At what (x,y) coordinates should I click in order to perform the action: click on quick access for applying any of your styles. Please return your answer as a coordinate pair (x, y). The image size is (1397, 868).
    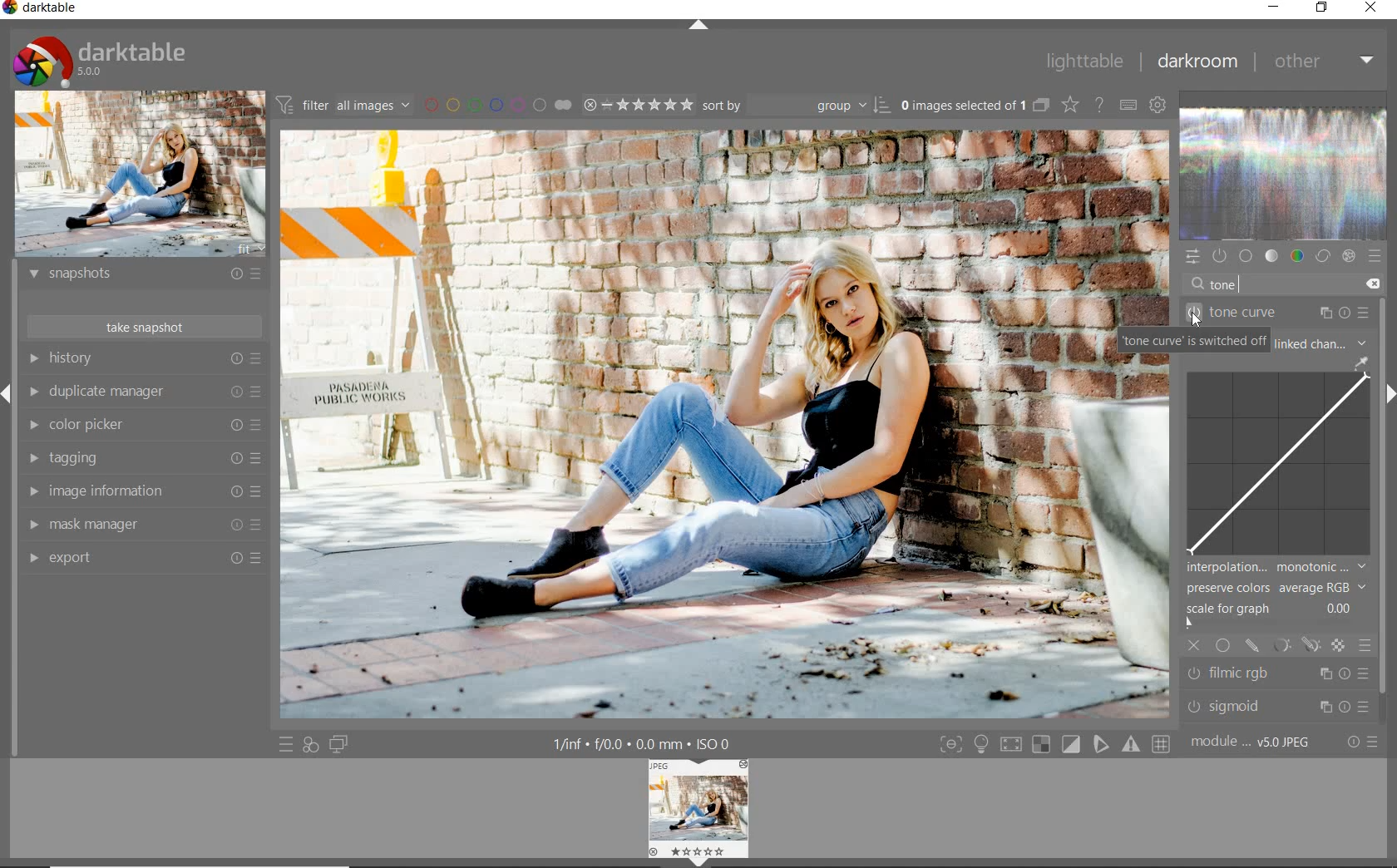
    Looking at the image, I should click on (311, 745).